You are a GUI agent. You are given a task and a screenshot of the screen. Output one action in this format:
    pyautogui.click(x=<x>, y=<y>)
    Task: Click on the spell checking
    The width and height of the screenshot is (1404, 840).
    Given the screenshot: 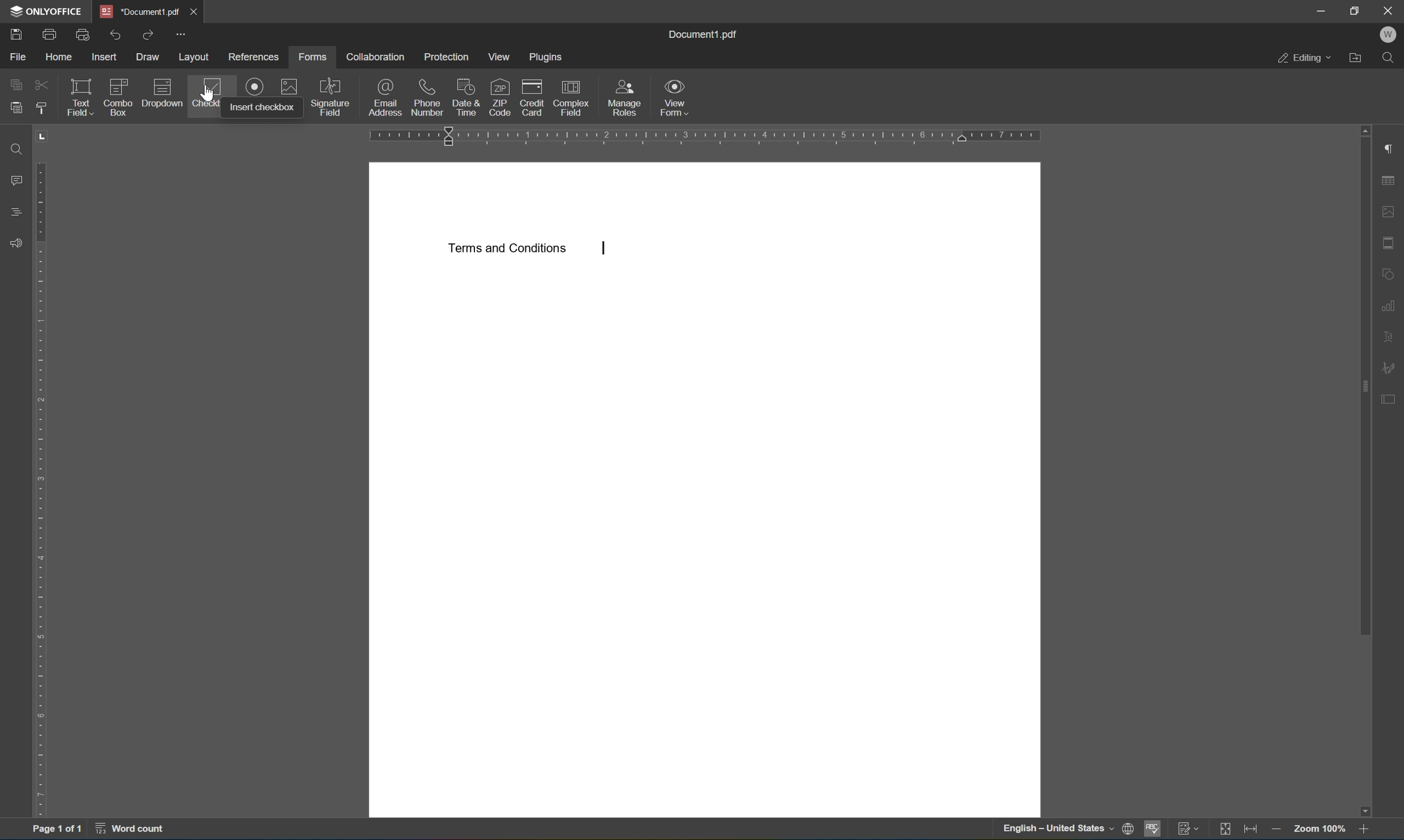 What is the action you would take?
    pyautogui.click(x=1154, y=830)
    